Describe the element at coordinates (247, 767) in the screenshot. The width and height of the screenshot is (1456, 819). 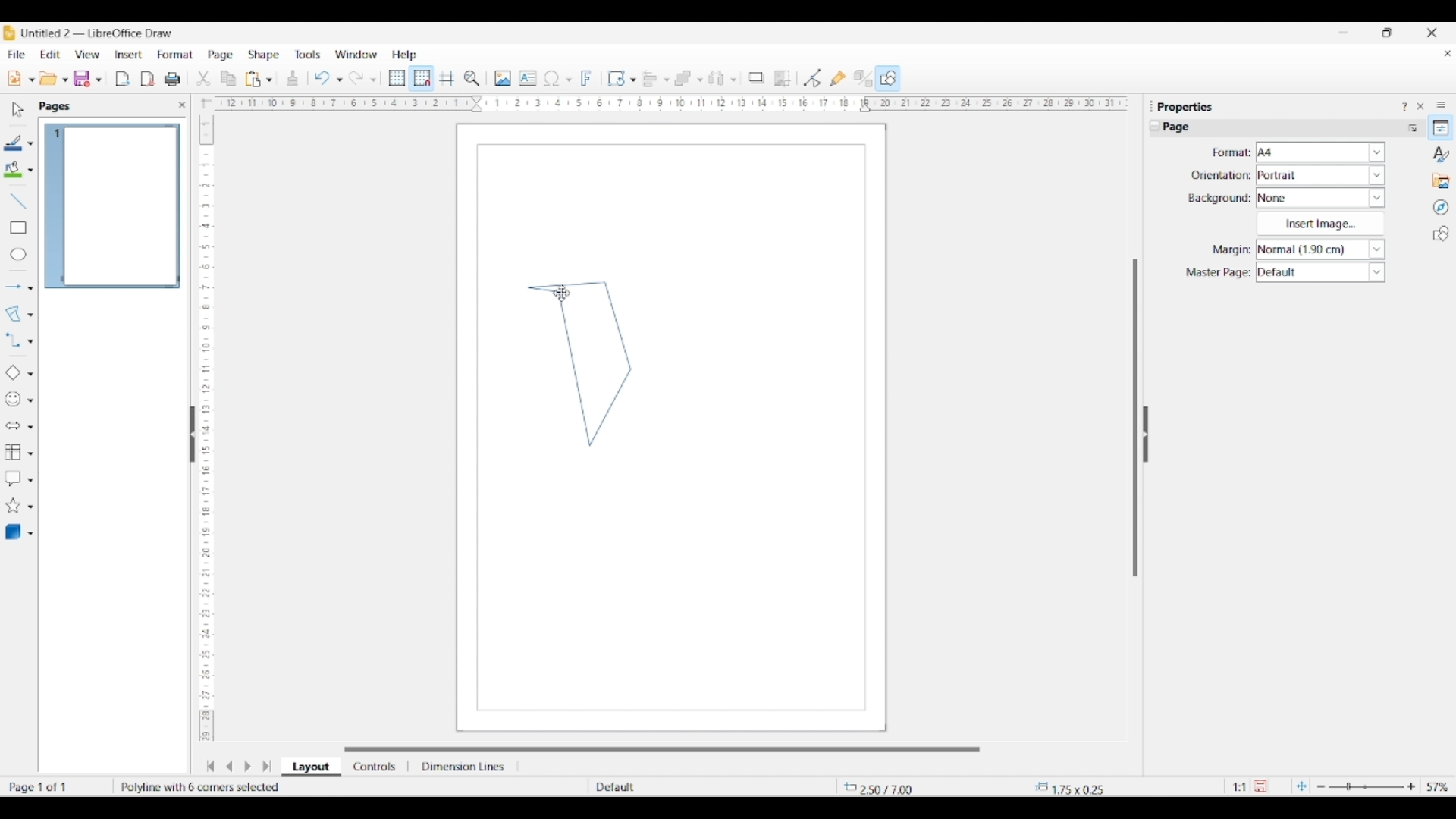
I see `Move to next slide` at that location.